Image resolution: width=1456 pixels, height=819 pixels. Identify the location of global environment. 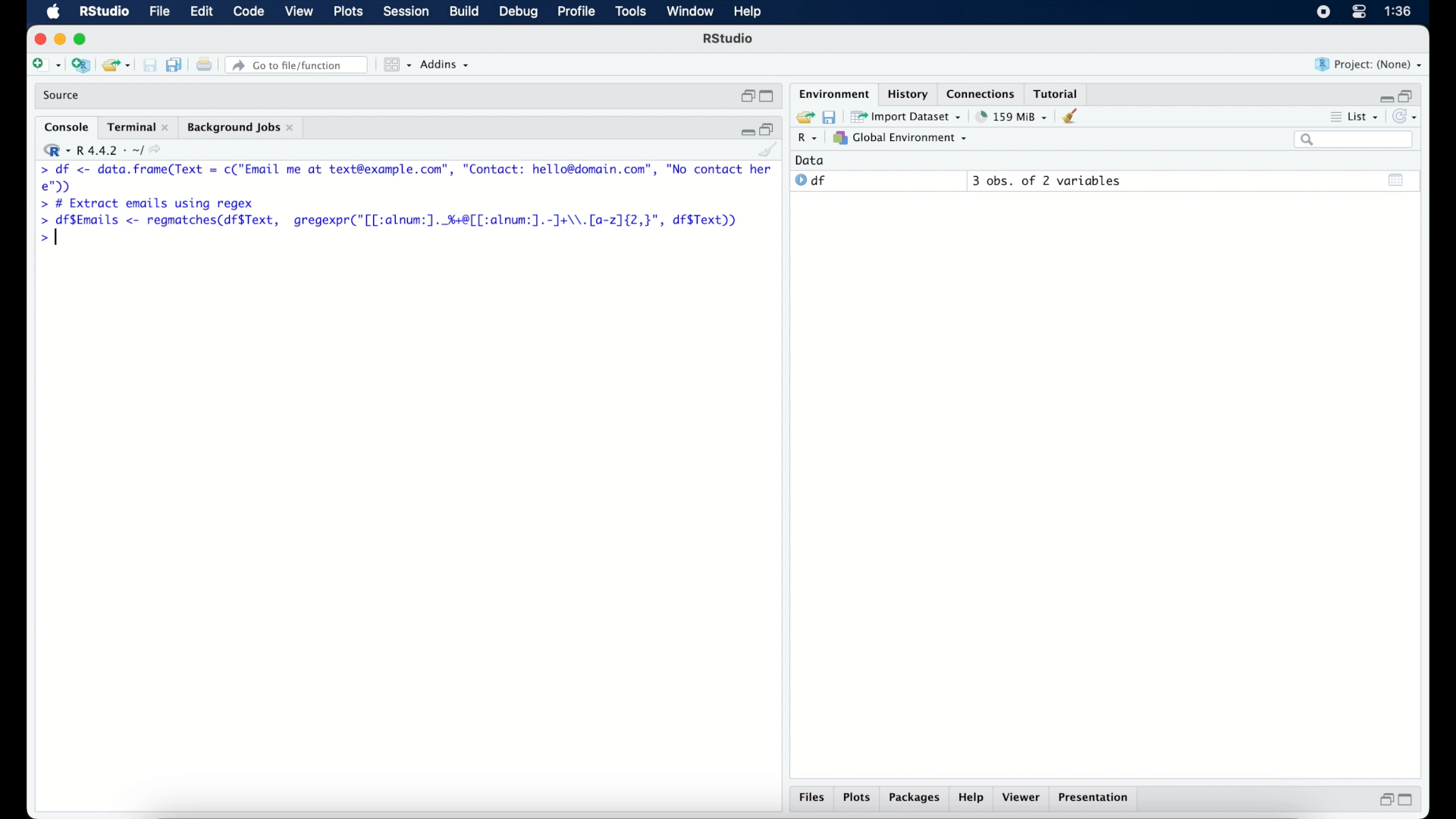
(905, 139).